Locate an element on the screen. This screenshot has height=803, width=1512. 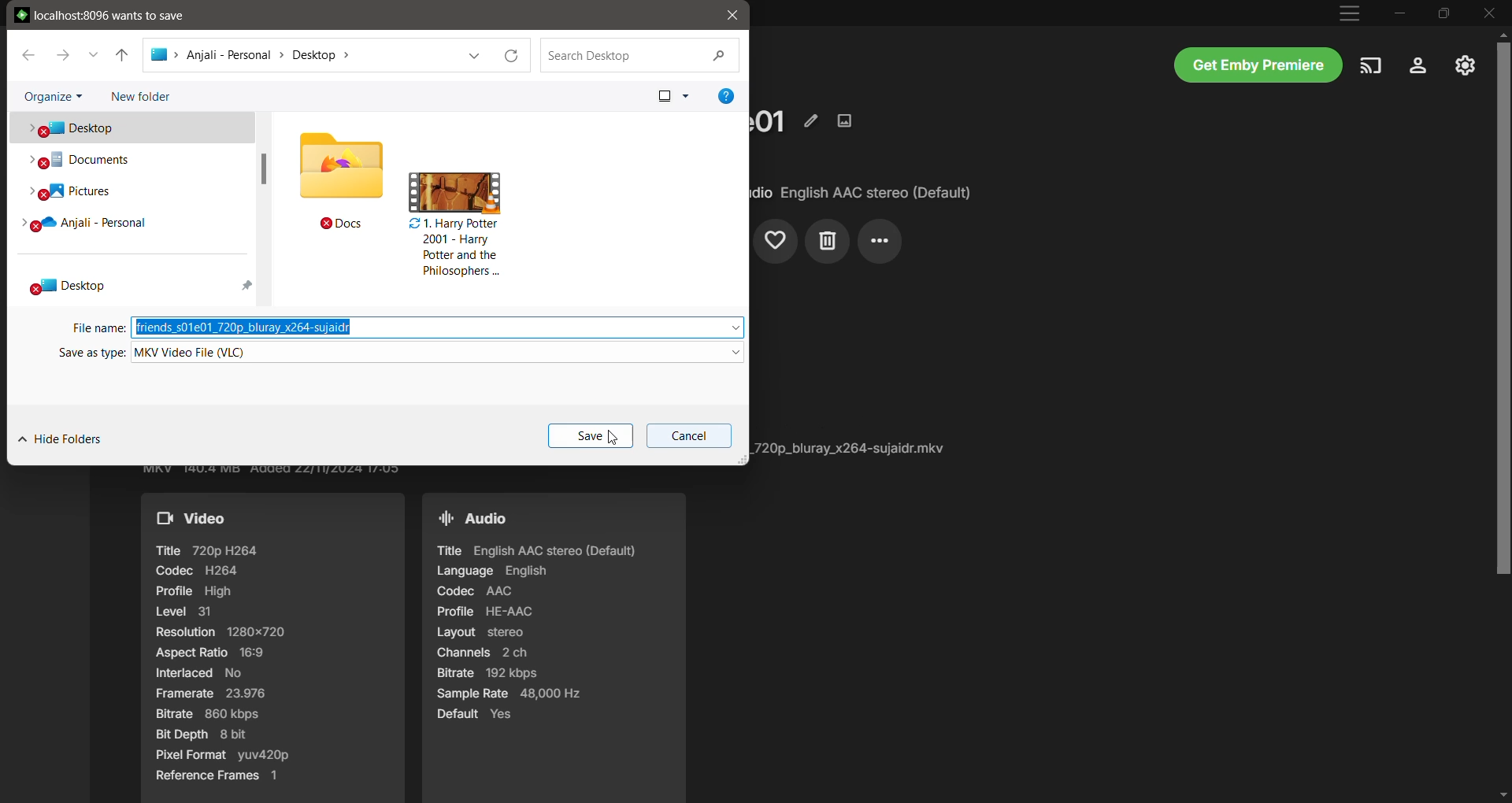
Add to Favorites is located at coordinates (776, 242).